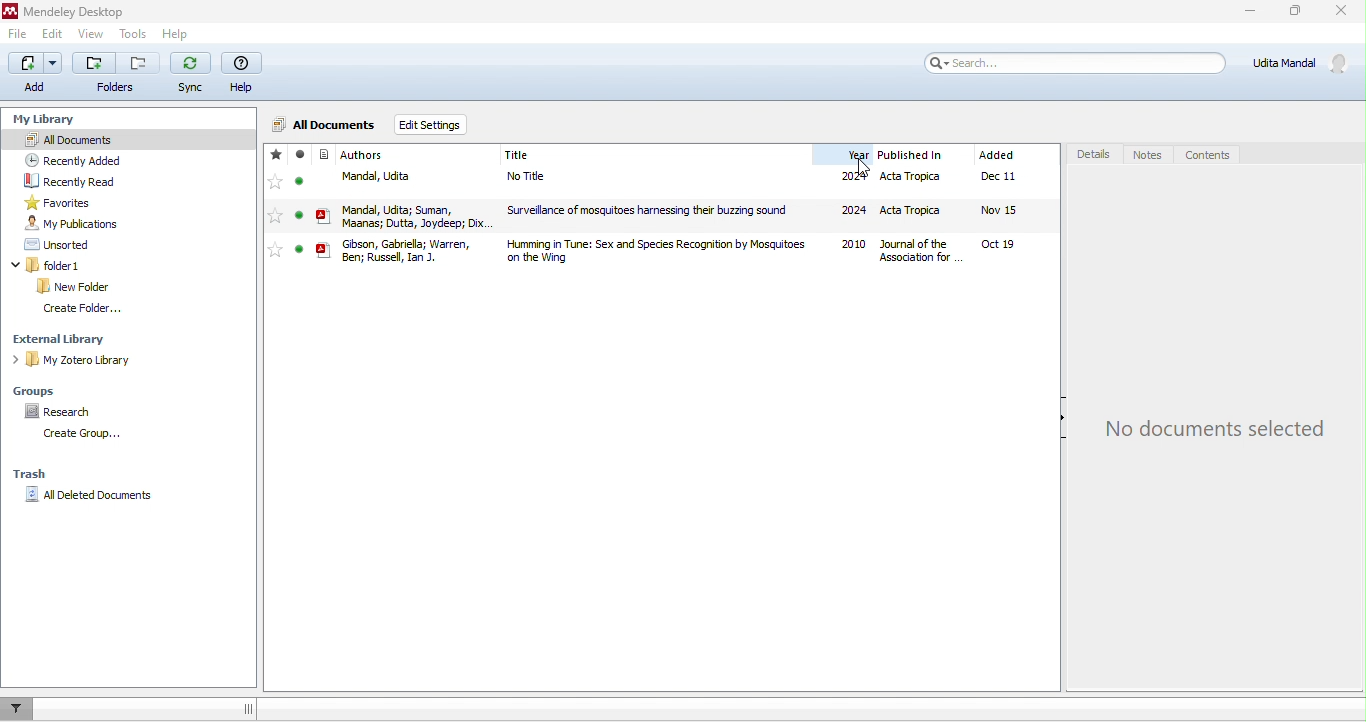 Image resolution: width=1366 pixels, height=722 pixels. I want to click on cursor movement, so click(862, 169).